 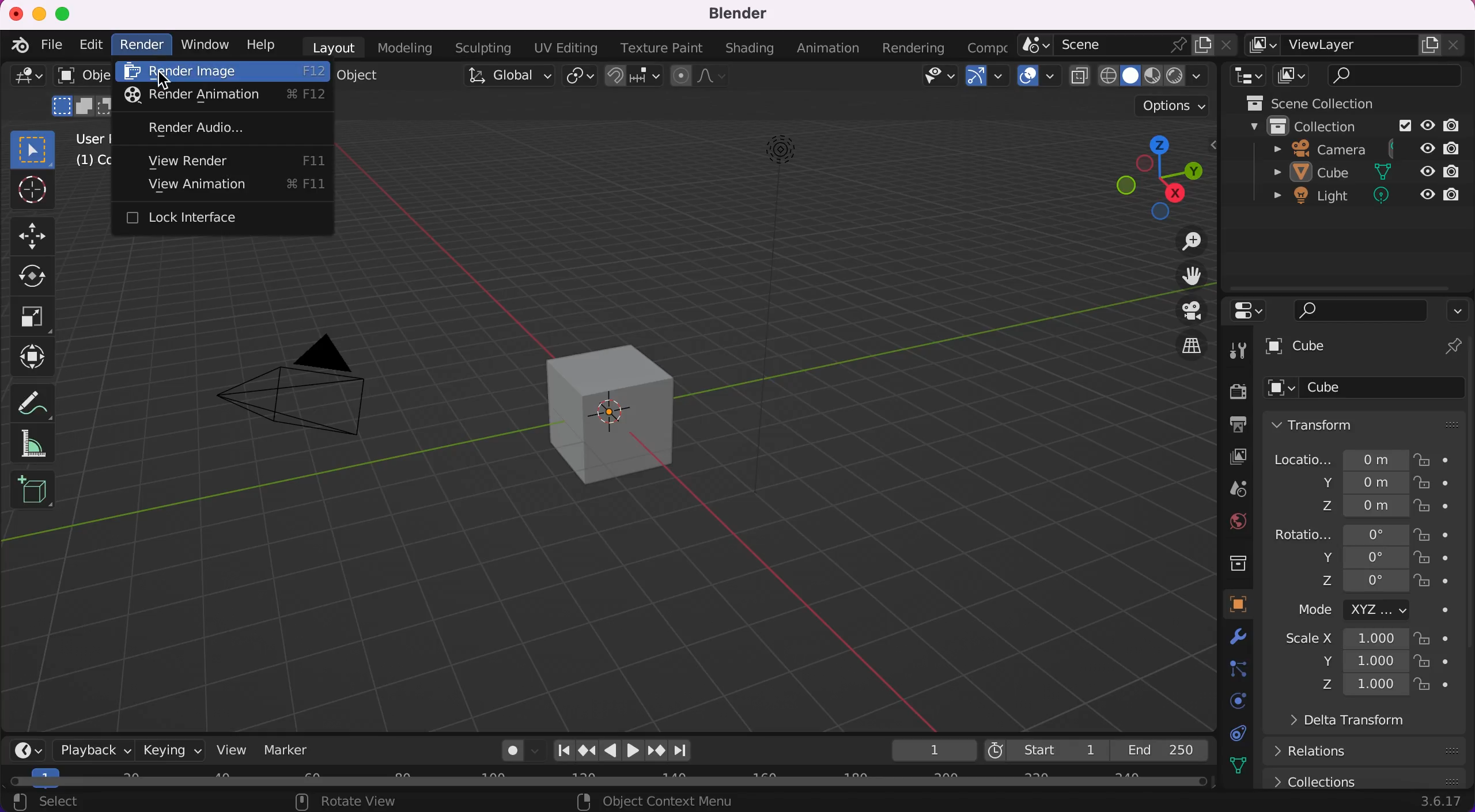 What do you see at coordinates (1189, 343) in the screenshot?
I see `switch the current view` at bounding box center [1189, 343].